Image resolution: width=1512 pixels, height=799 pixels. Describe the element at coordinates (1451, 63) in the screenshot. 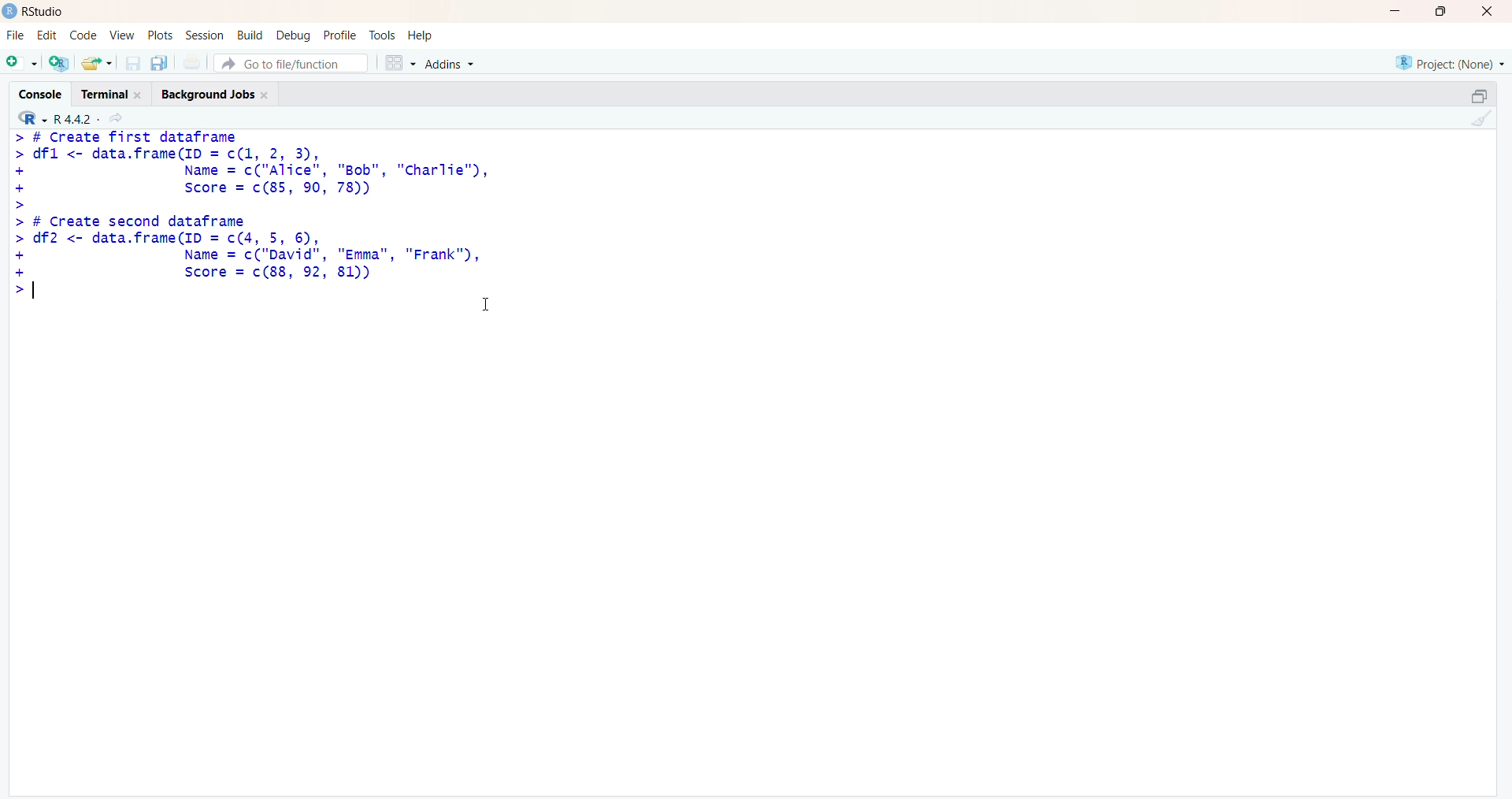

I see `Project: (None)` at that location.